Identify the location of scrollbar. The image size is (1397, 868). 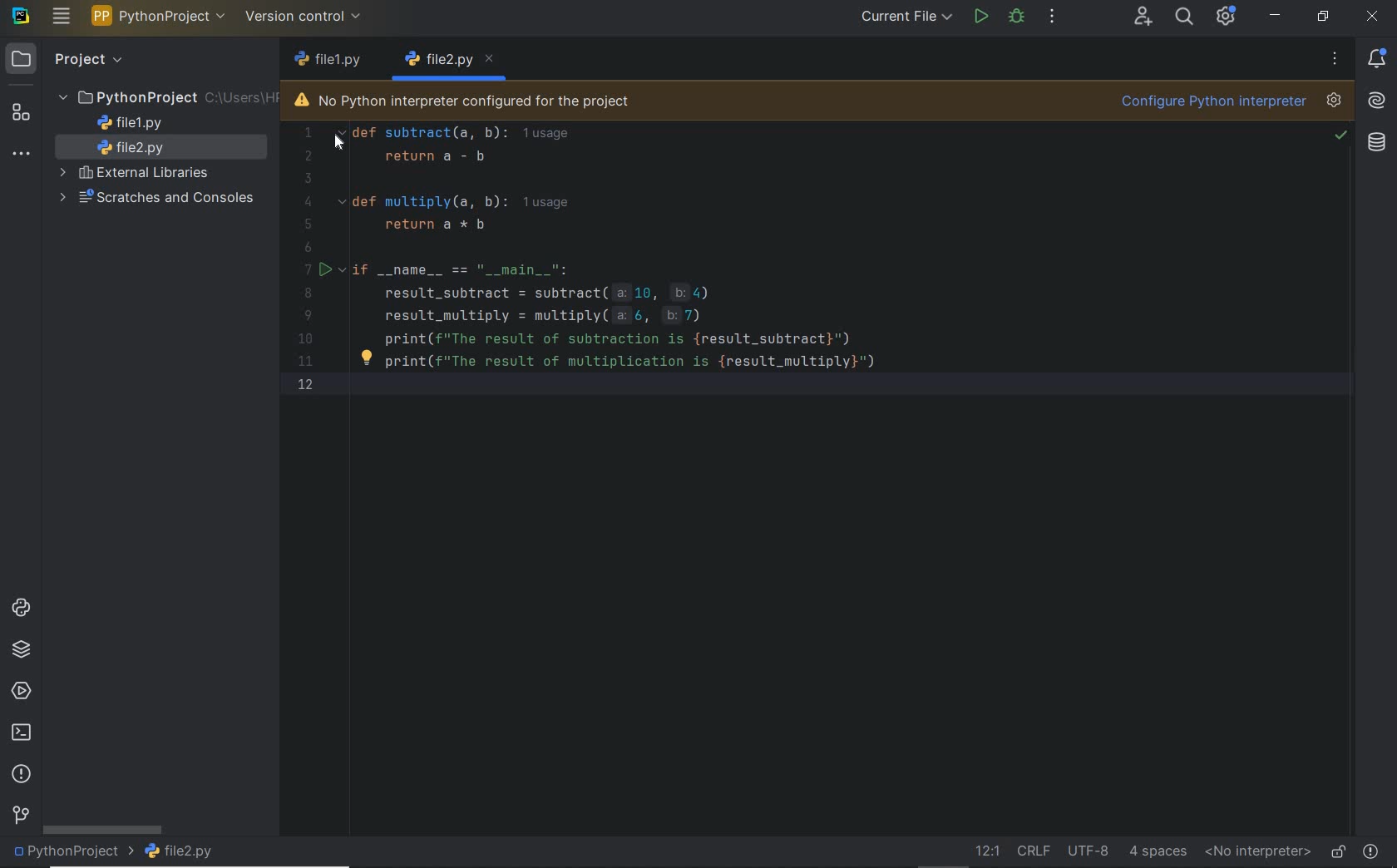
(101, 829).